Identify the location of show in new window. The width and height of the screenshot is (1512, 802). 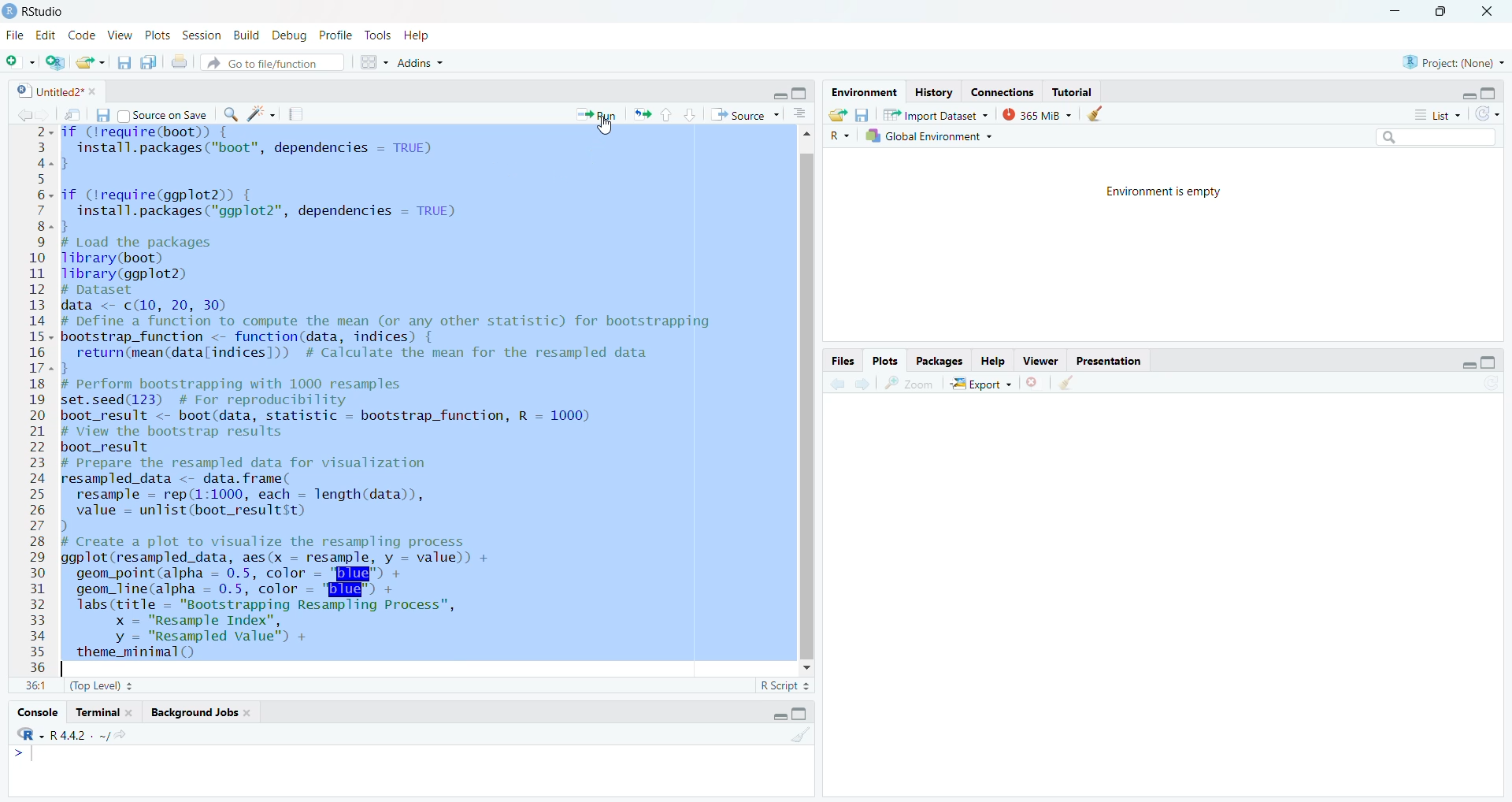
(74, 115).